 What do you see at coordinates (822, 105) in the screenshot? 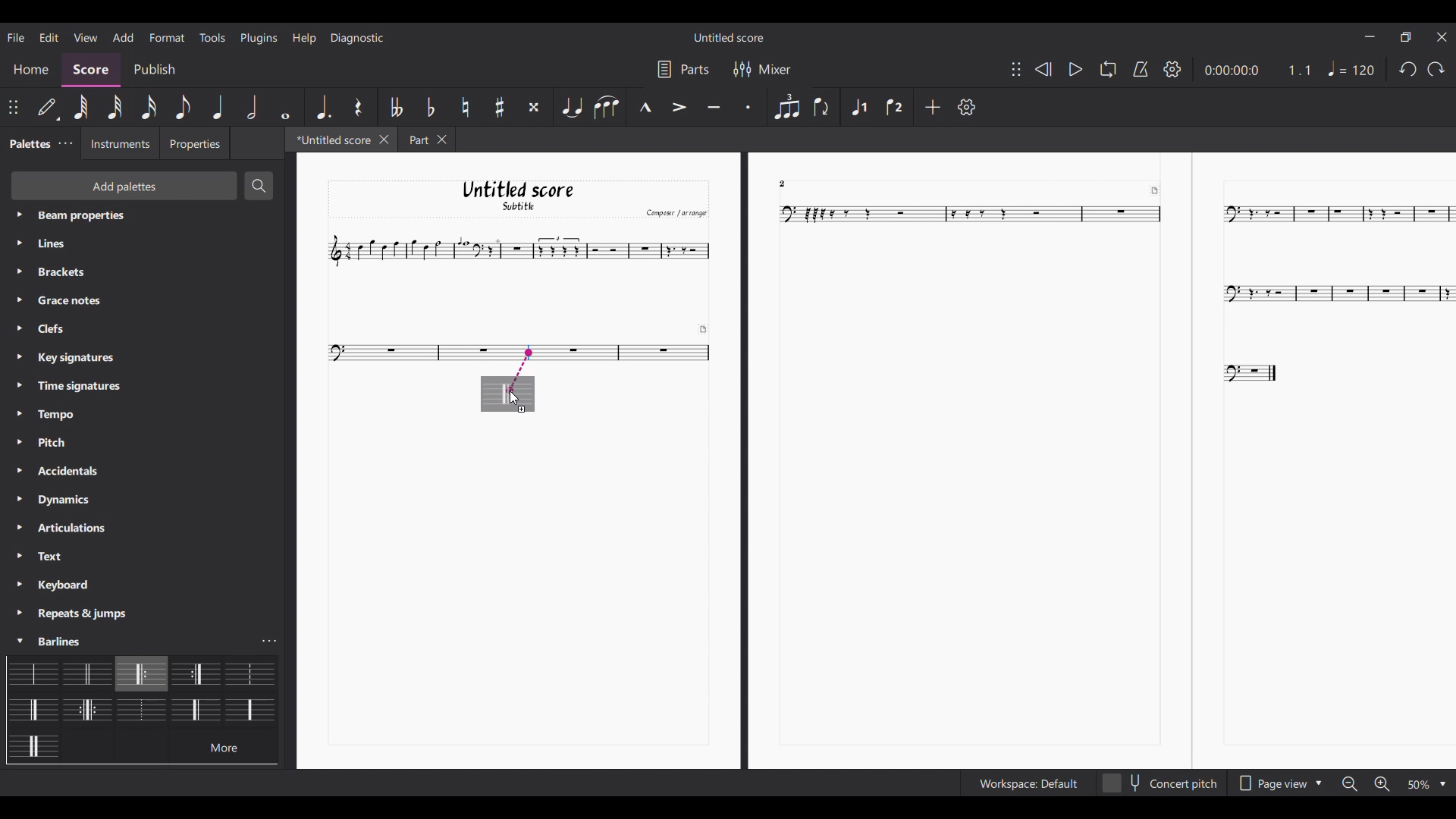
I see `Flip direction` at bounding box center [822, 105].